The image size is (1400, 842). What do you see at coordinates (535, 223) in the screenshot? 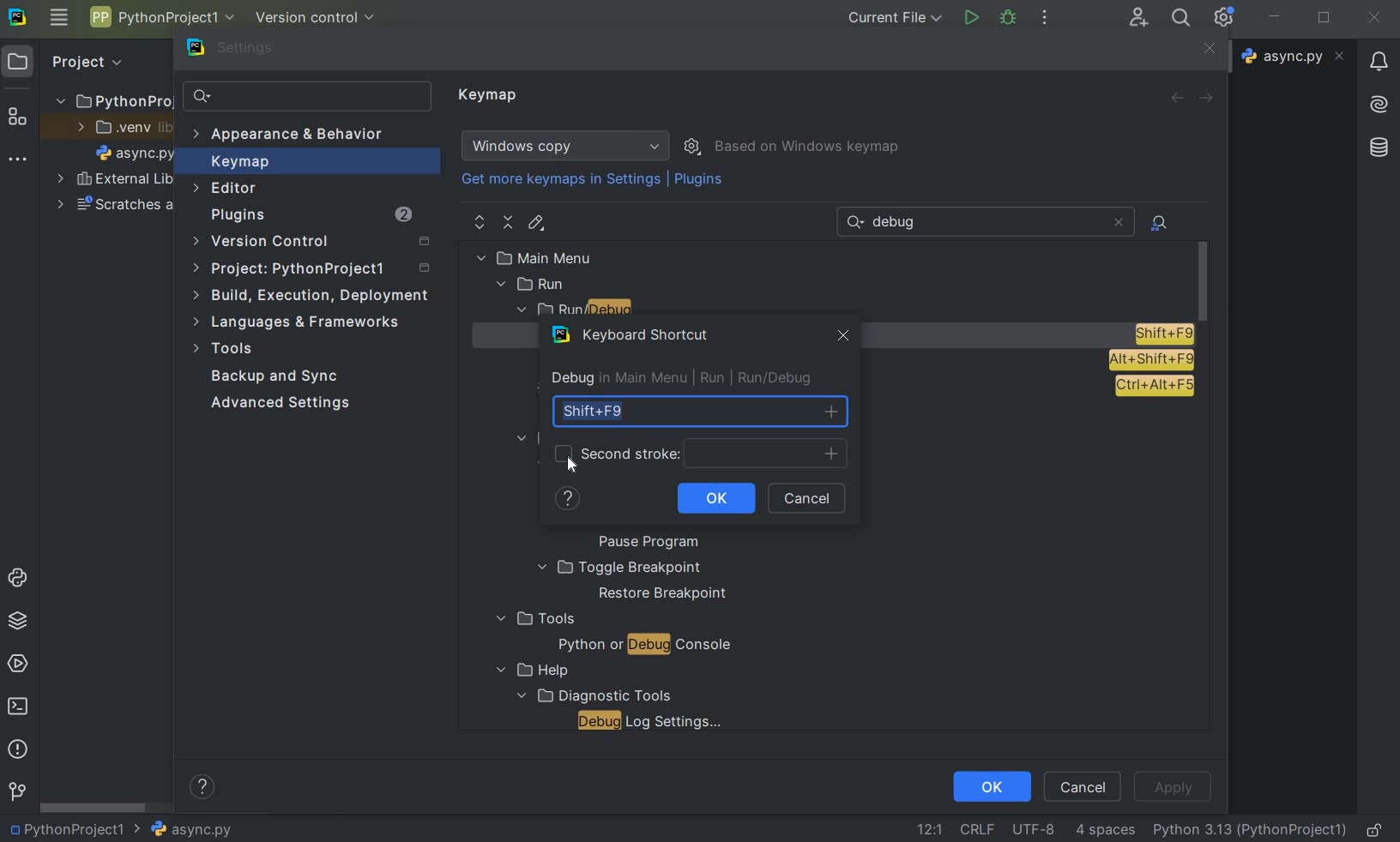
I see `edit shortcut` at bounding box center [535, 223].